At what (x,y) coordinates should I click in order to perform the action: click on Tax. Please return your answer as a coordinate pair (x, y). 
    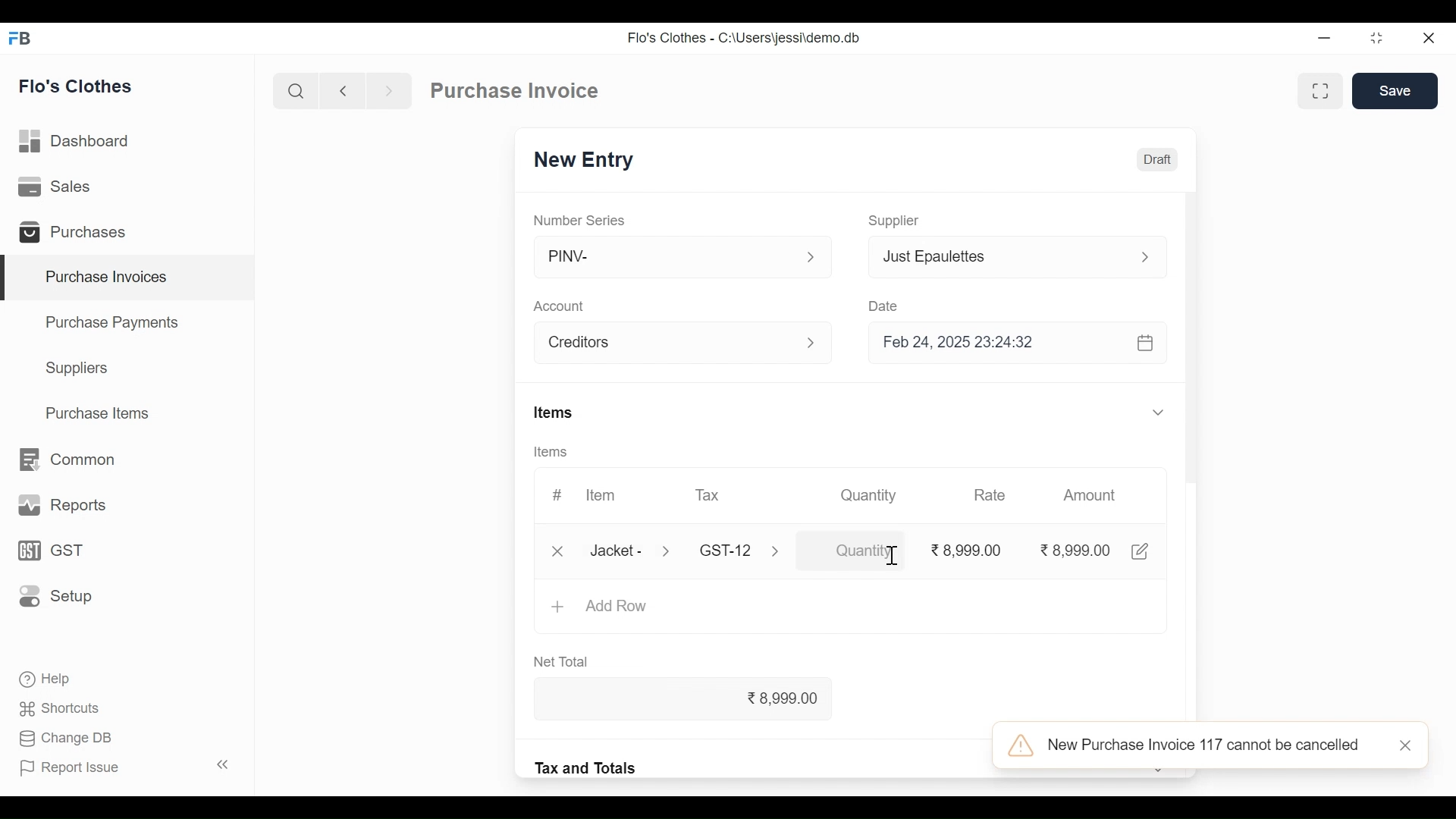
    Looking at the image, I should click on (729, 550).